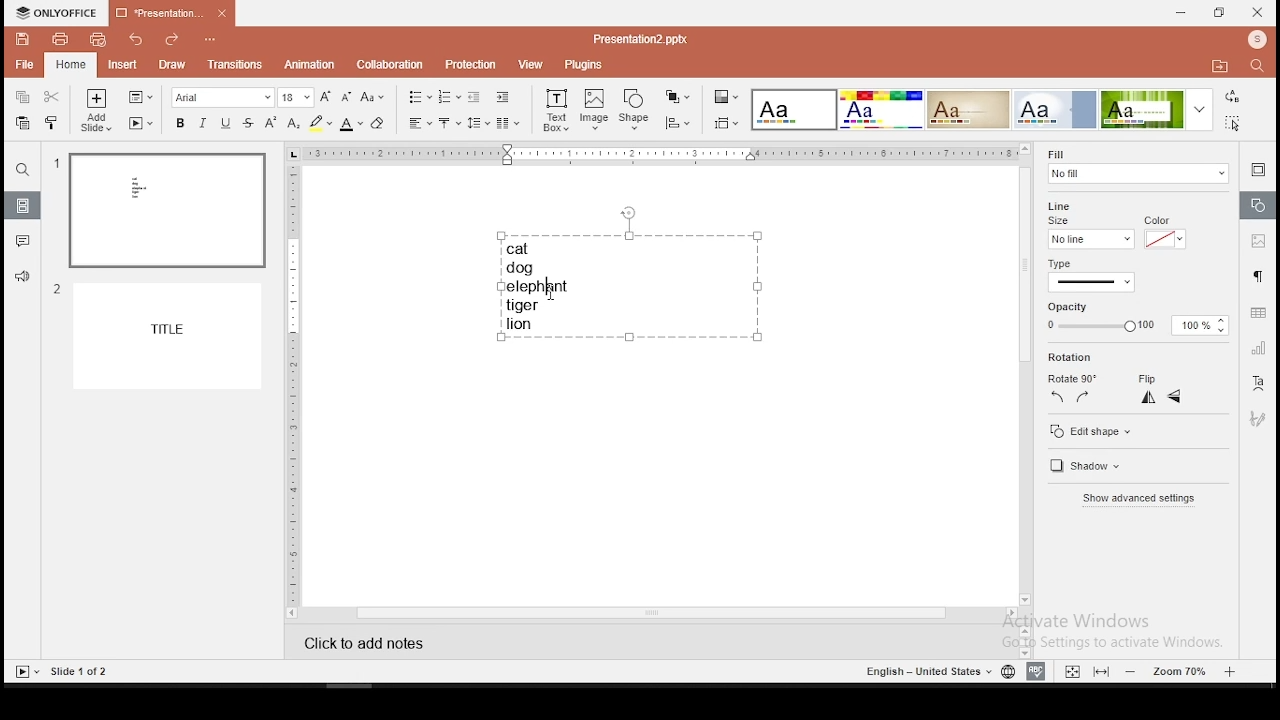  What do you see at coordinates (1024, 374) in the screenshot?
I see `scroll bar` at bounding box center [1024, 374].